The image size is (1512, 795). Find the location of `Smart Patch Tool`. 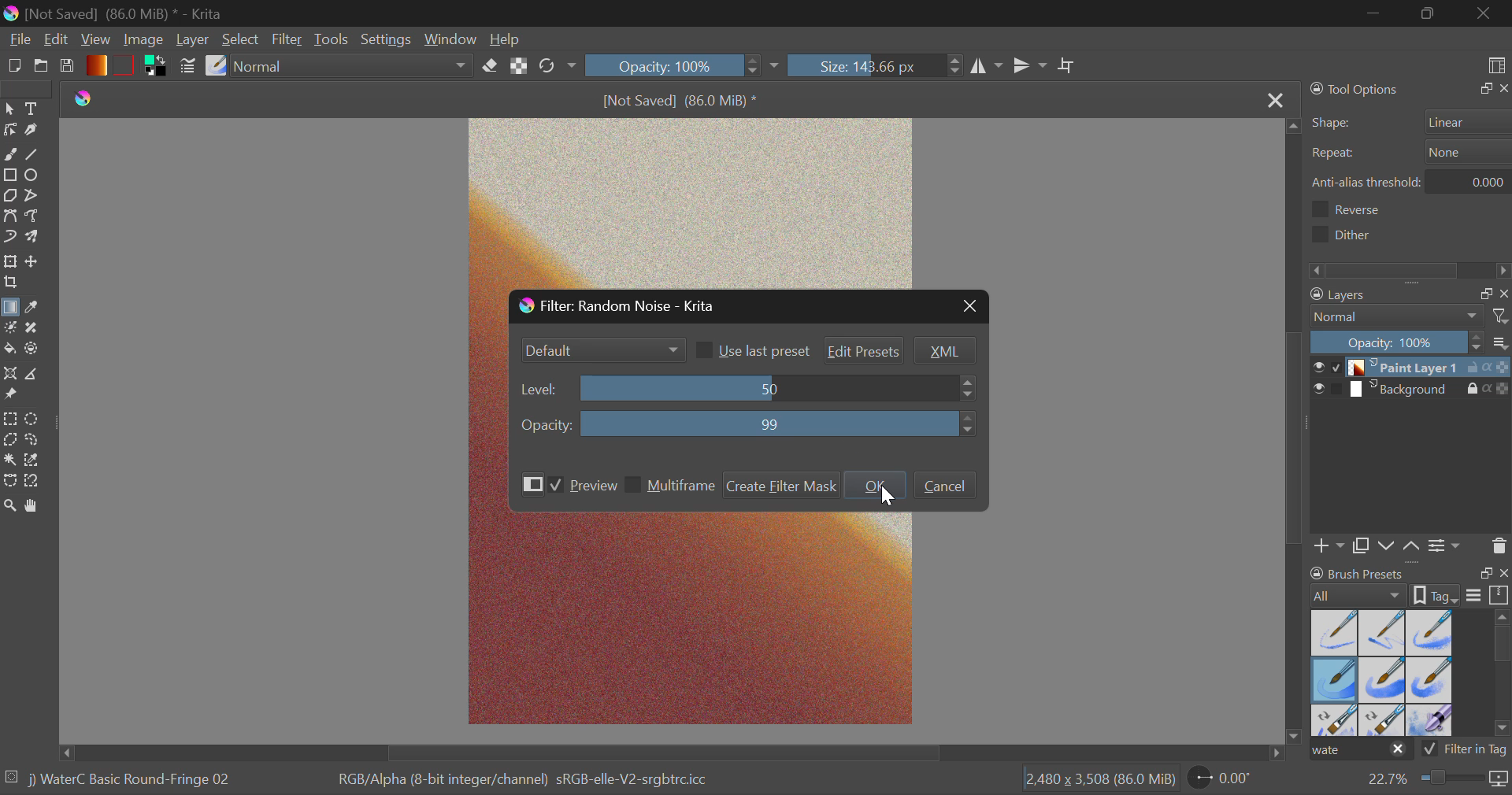

Smart Patch Tool is located at coordinates (38, 327).